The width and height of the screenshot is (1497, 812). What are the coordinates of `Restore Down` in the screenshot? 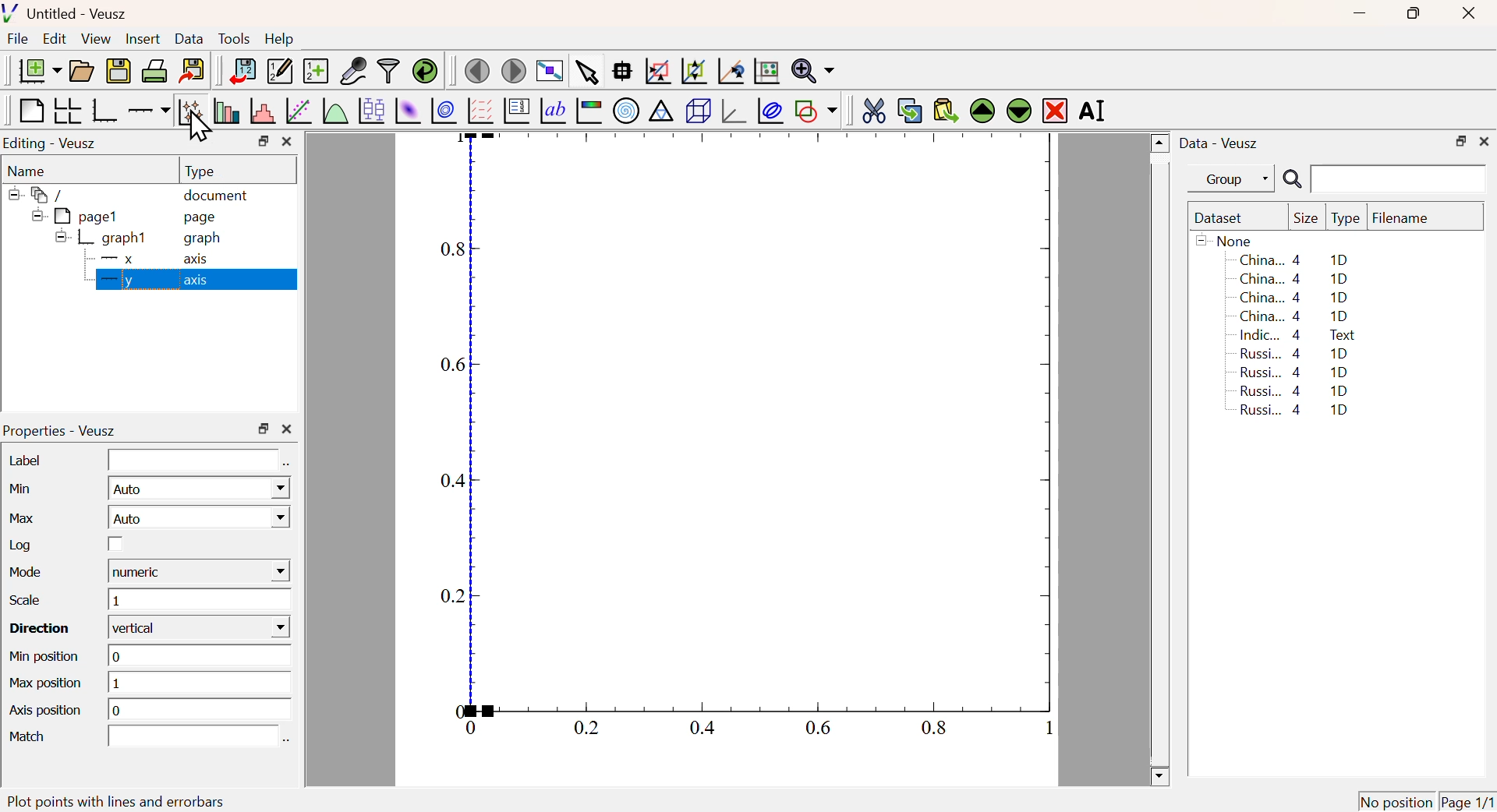 It's located at (264, 429).